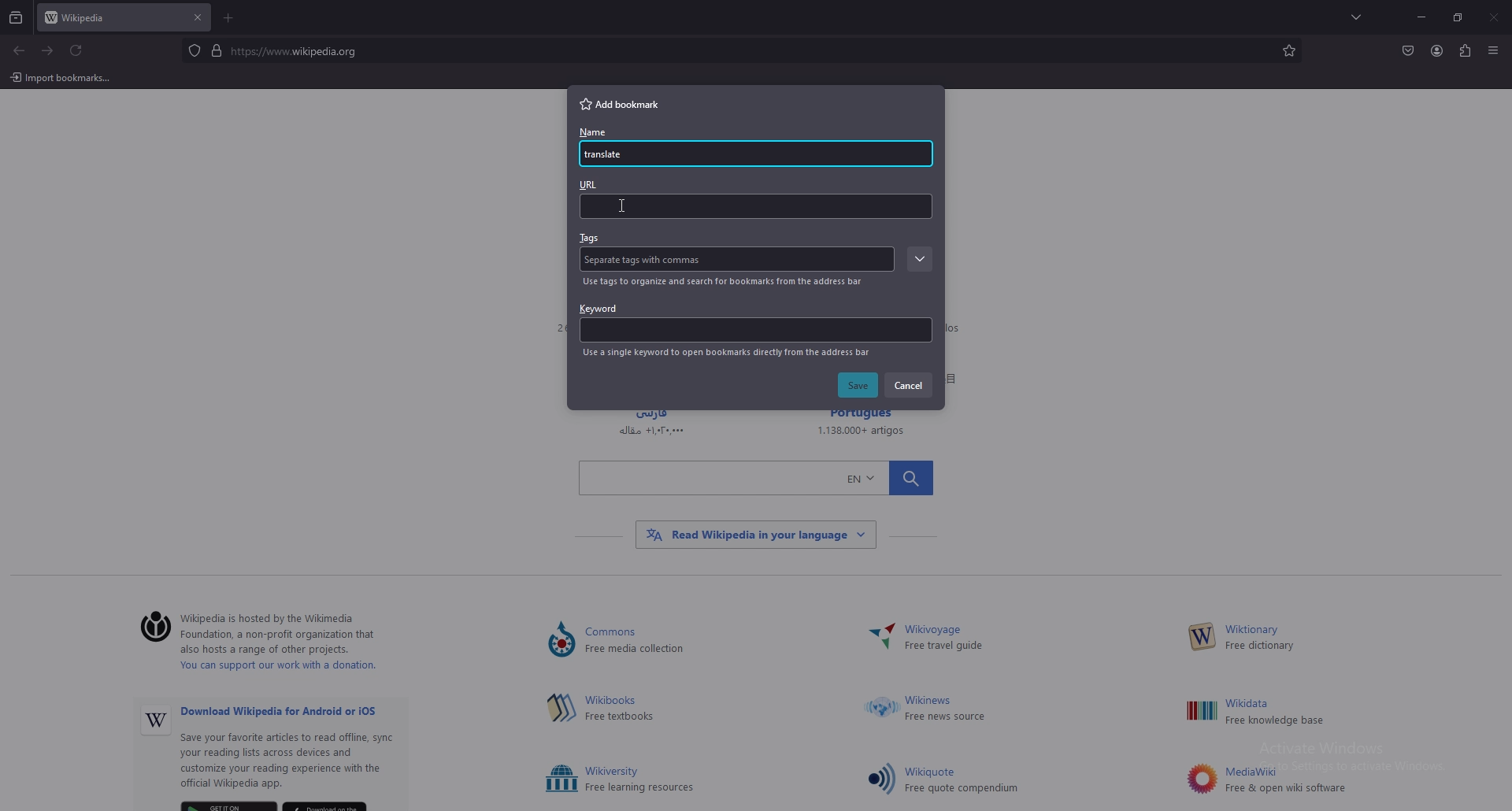 The width and height of the screenshot is (1512, 811). What do you see at coordinates (194, 50) in the screenshot?
I see `protected` at bounding box center [194, 50].